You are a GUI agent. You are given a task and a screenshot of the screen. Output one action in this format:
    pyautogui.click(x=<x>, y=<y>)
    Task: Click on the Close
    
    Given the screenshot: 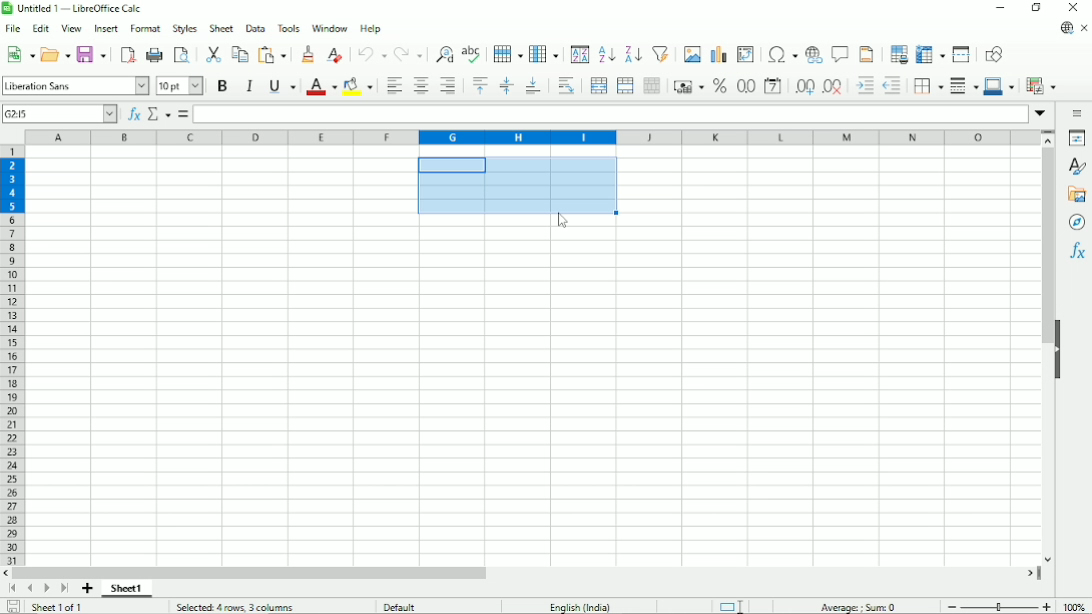 What is the action you would take?
    pyautogui.click(x=1075, y=7)
    